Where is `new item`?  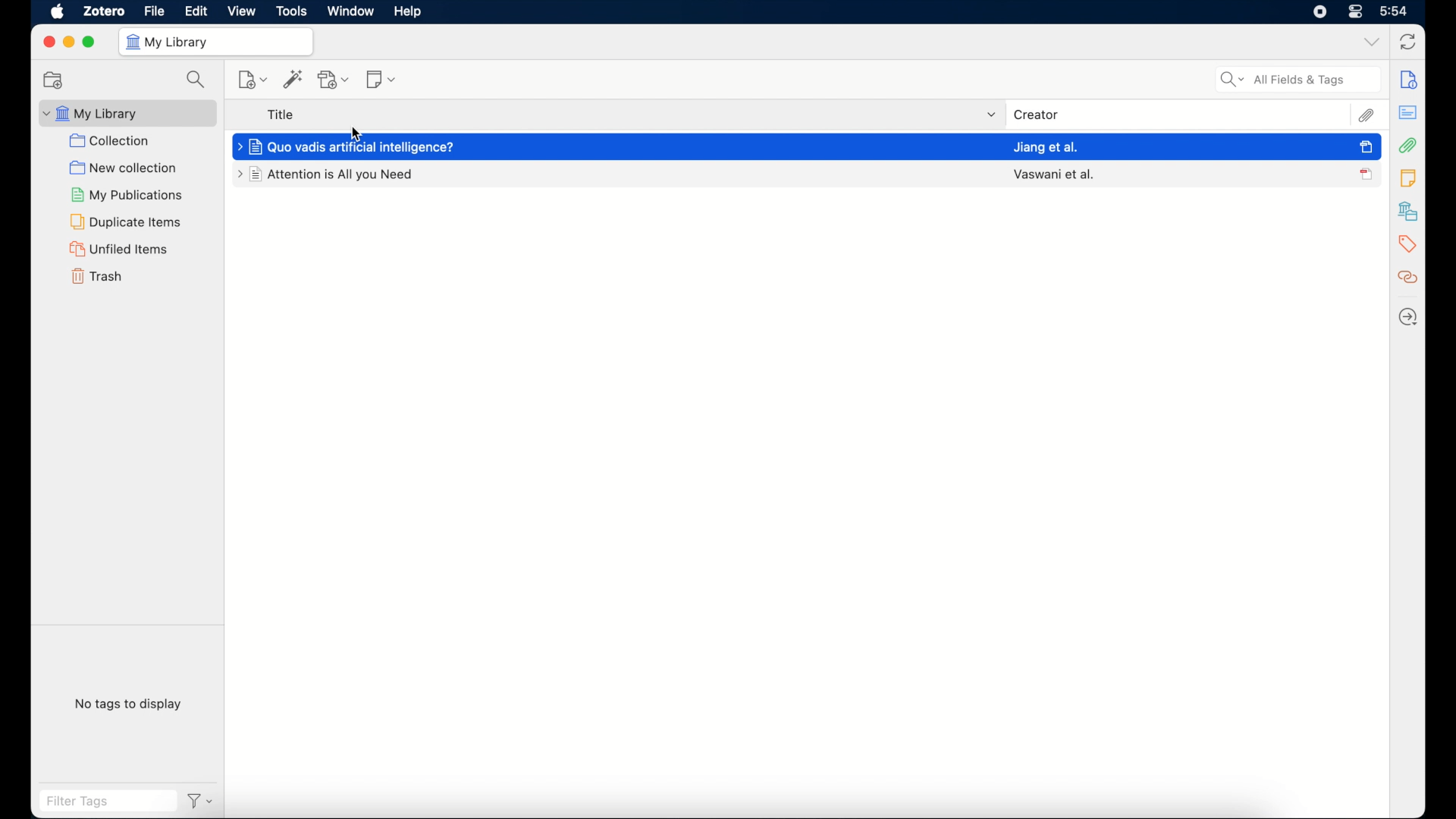
new item is located at coordinates (254, 80).